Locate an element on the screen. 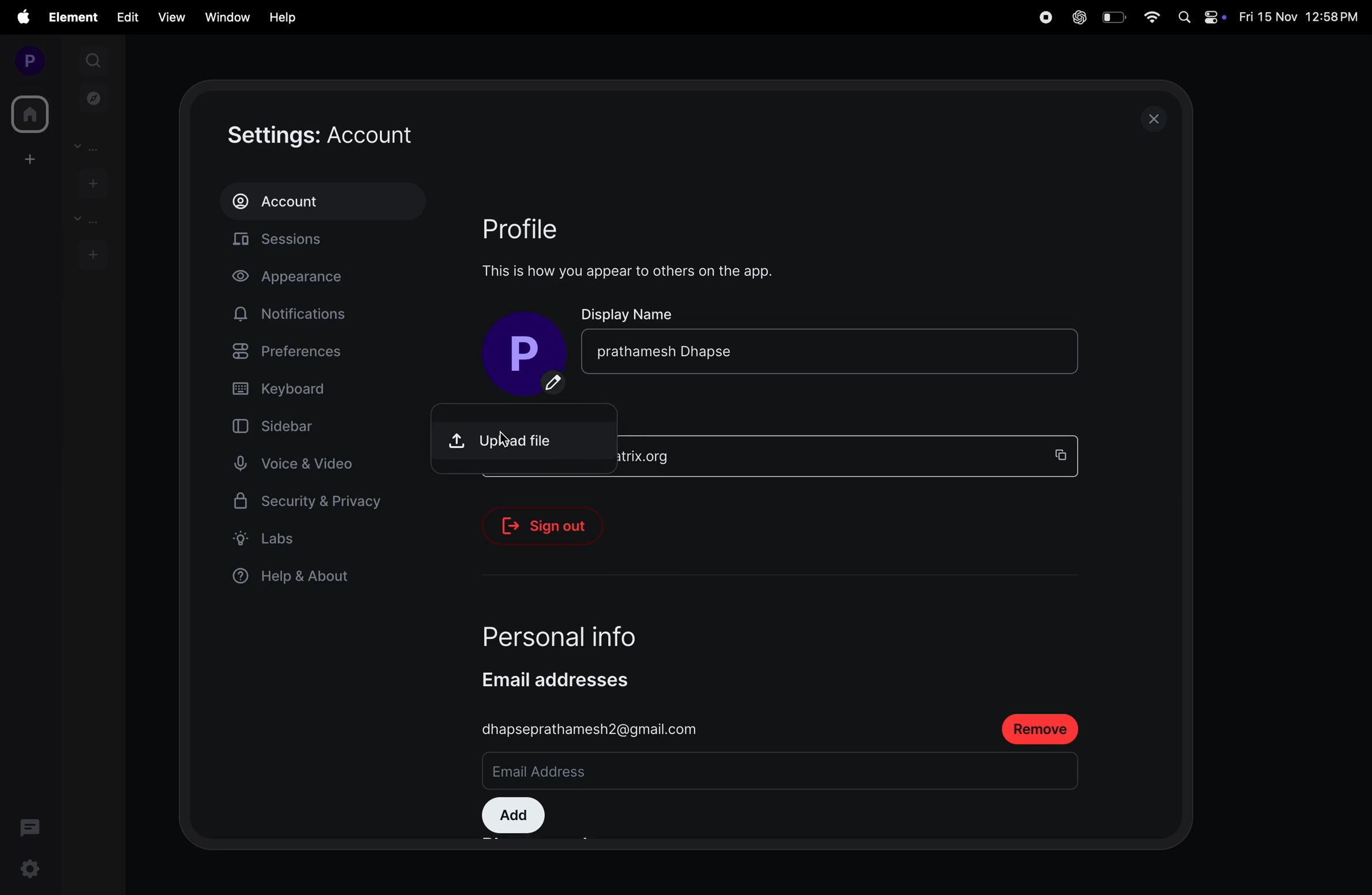  sign out is located at coordinates (552, 526).